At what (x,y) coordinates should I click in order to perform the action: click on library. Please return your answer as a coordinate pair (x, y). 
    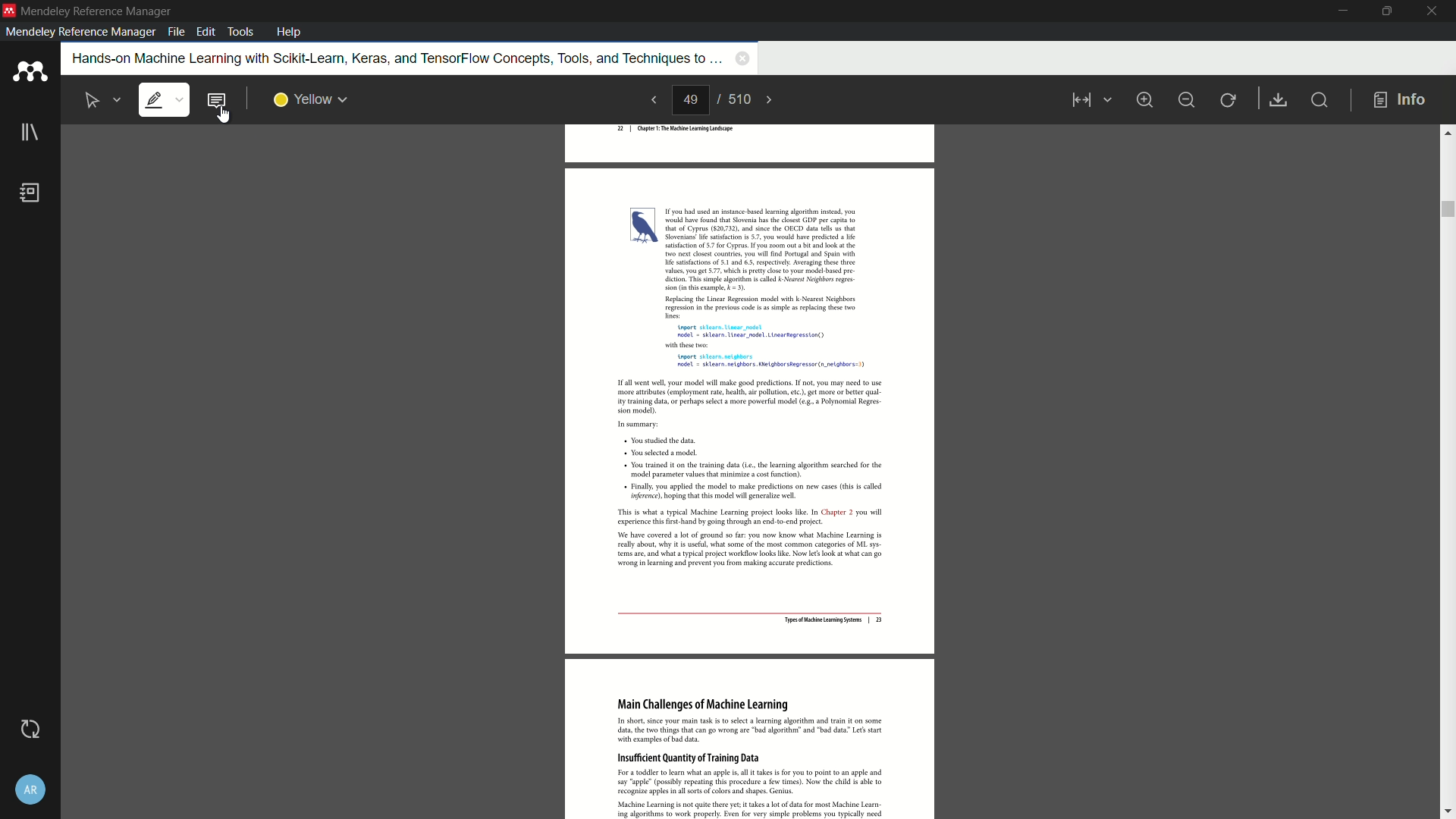
    Looking at the image, I should click on (29, 134).